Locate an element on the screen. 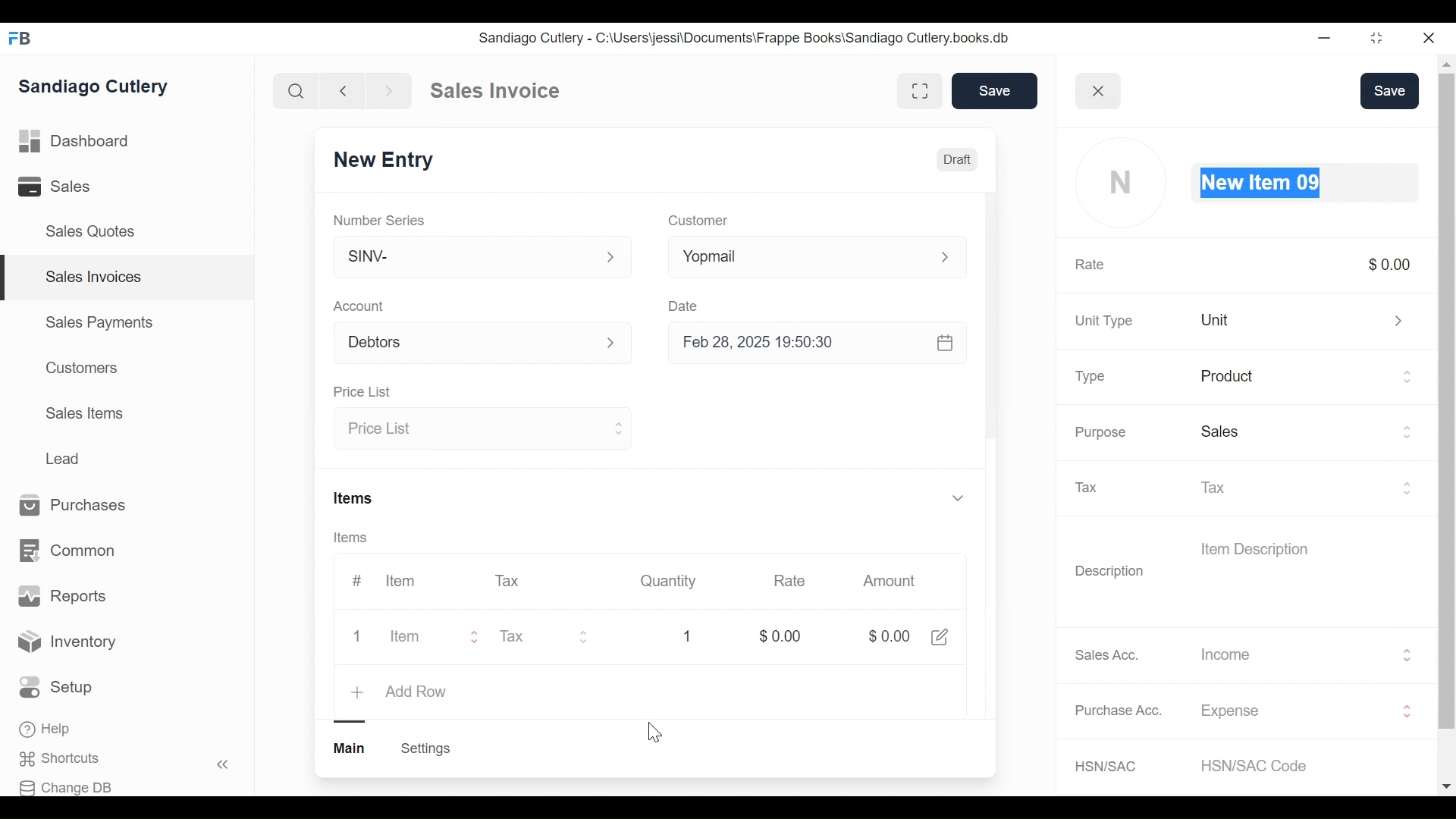  1  is located at coordinates (689, 635).